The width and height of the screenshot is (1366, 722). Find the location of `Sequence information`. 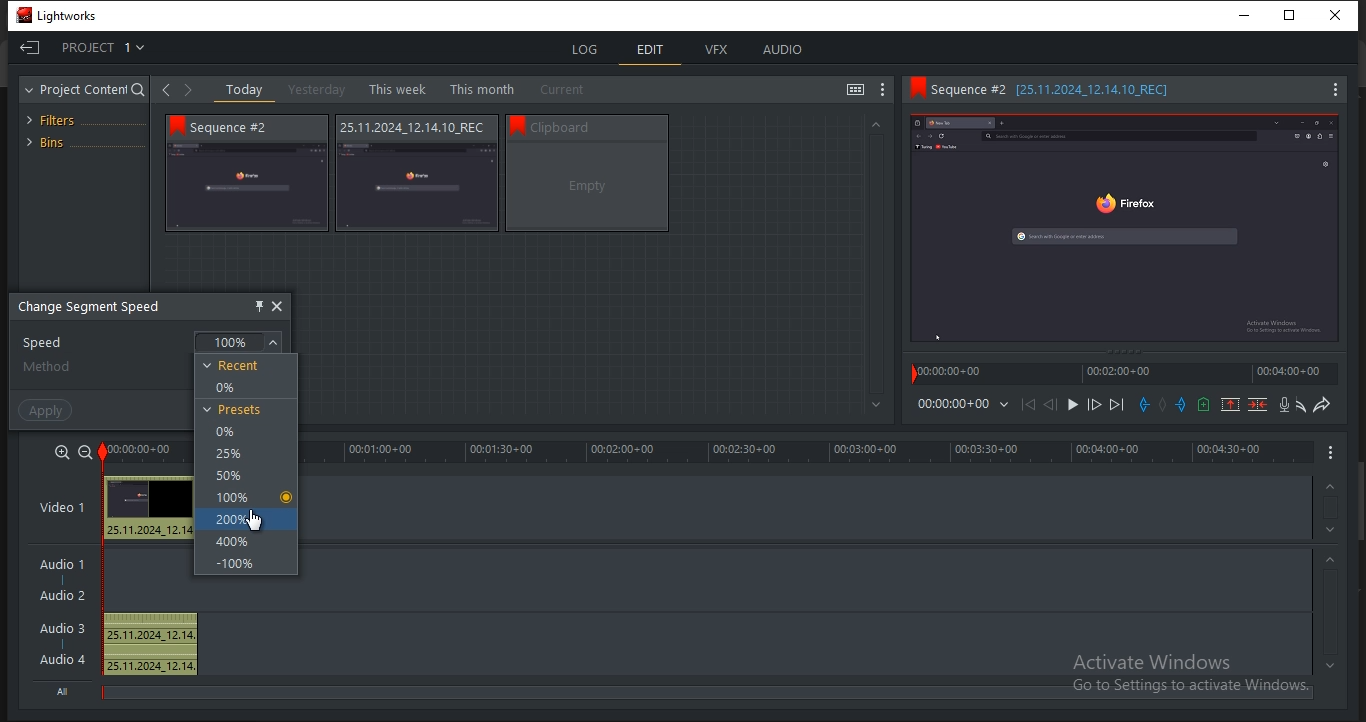

Sequence information is located at coordinates (411, 128).